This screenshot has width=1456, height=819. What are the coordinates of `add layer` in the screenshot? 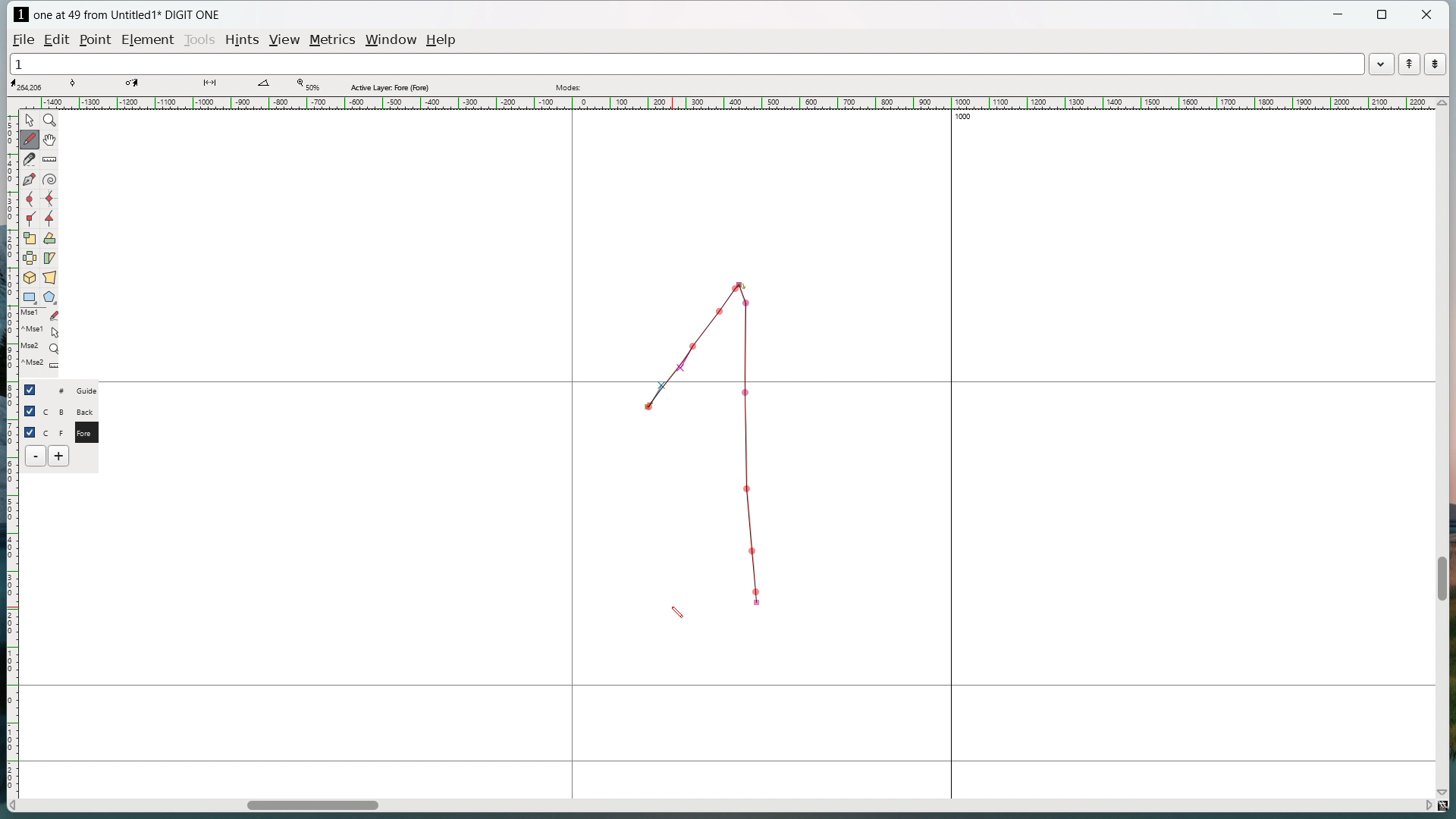 It's located at (60, 456).